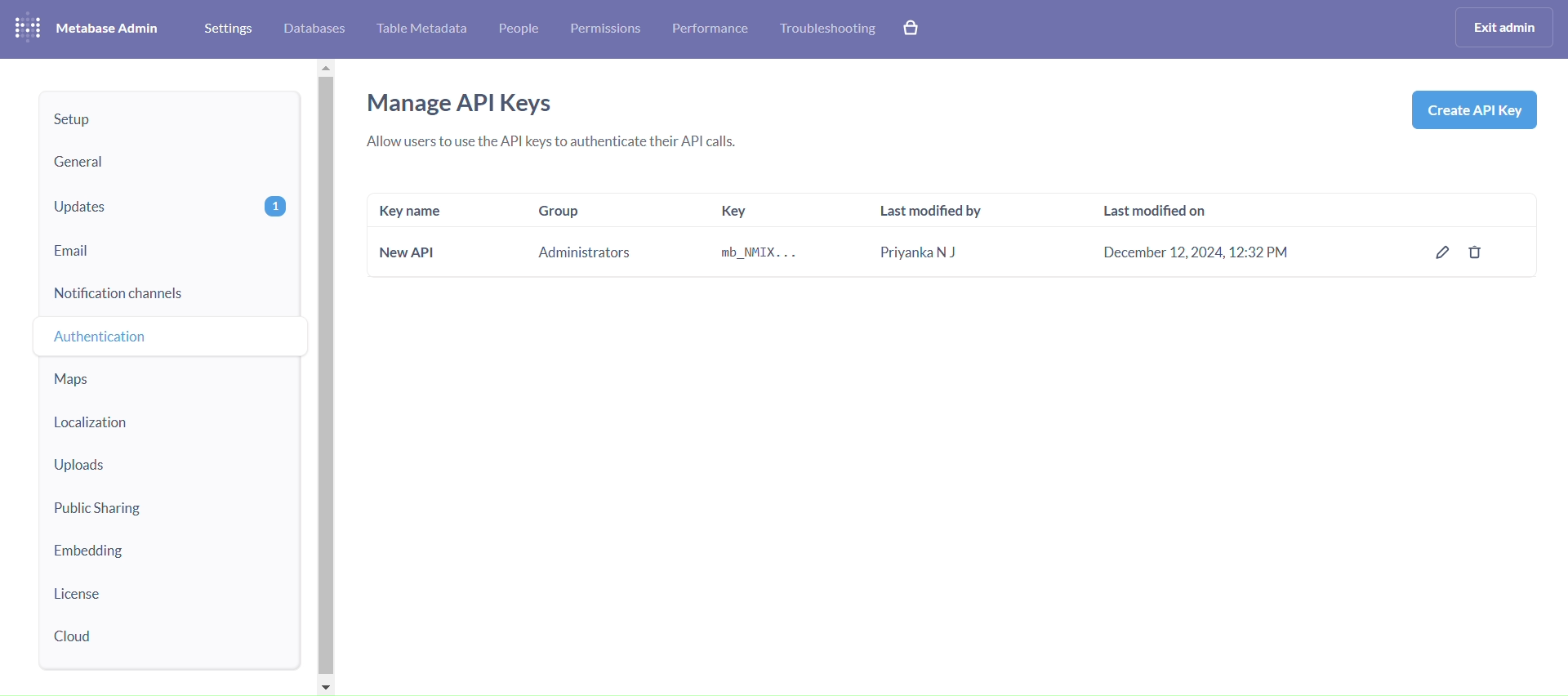  I want to click on performance, so click(714, 30).